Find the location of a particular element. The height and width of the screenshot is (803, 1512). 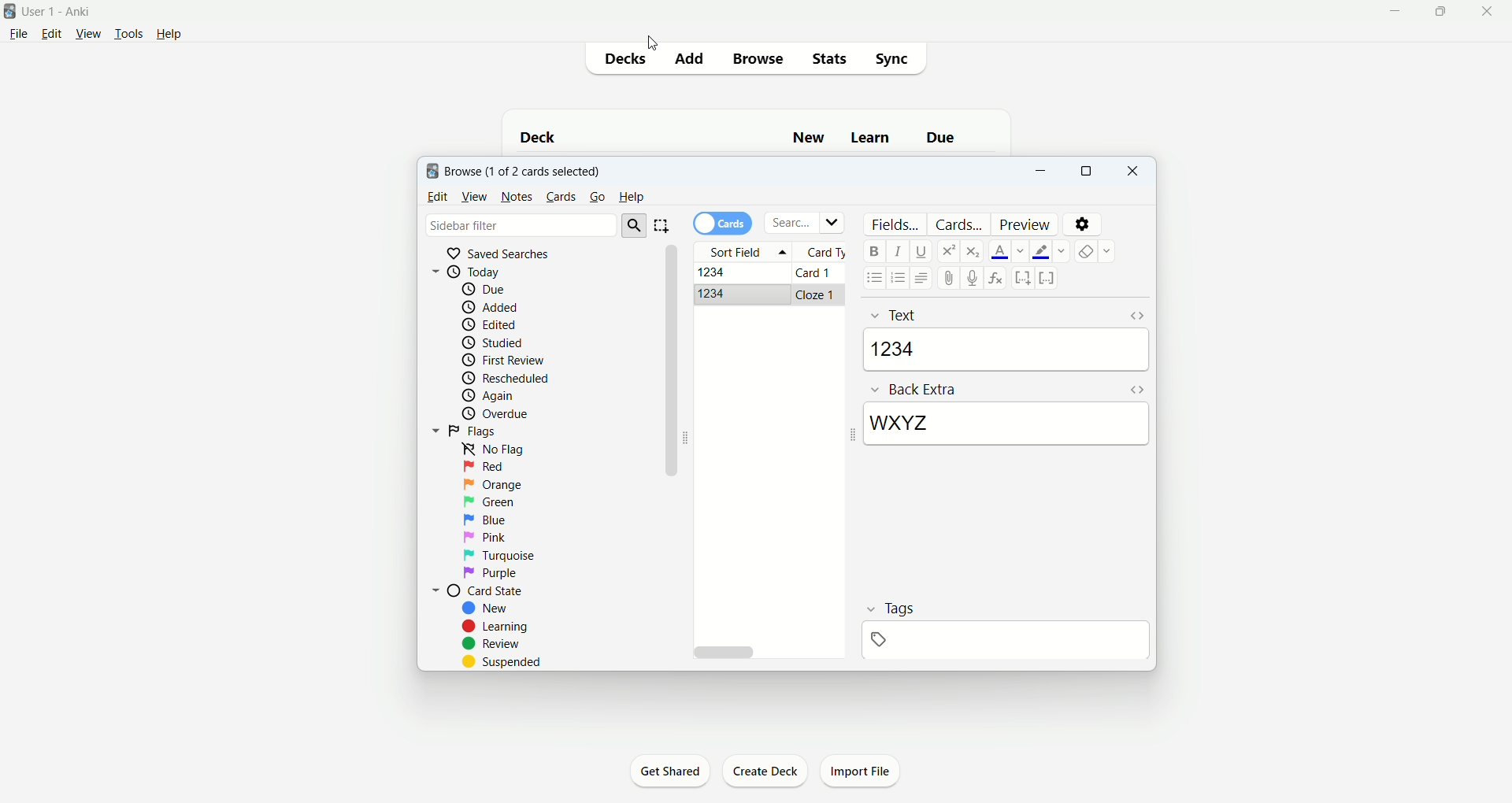

logo is located at coordinates (431, 172).